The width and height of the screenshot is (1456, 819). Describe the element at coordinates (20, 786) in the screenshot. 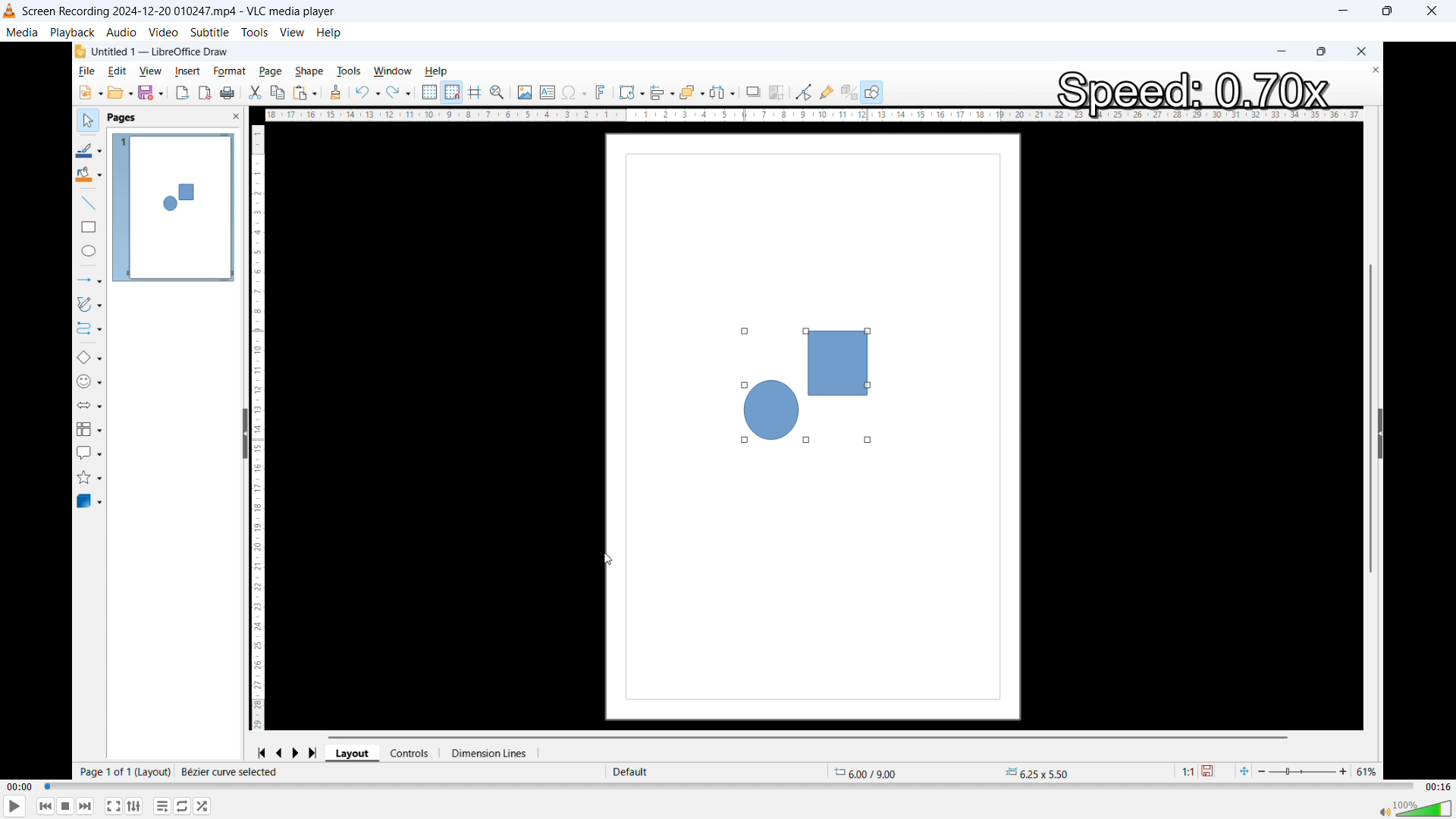

I see `Time elapsed ` at that location.